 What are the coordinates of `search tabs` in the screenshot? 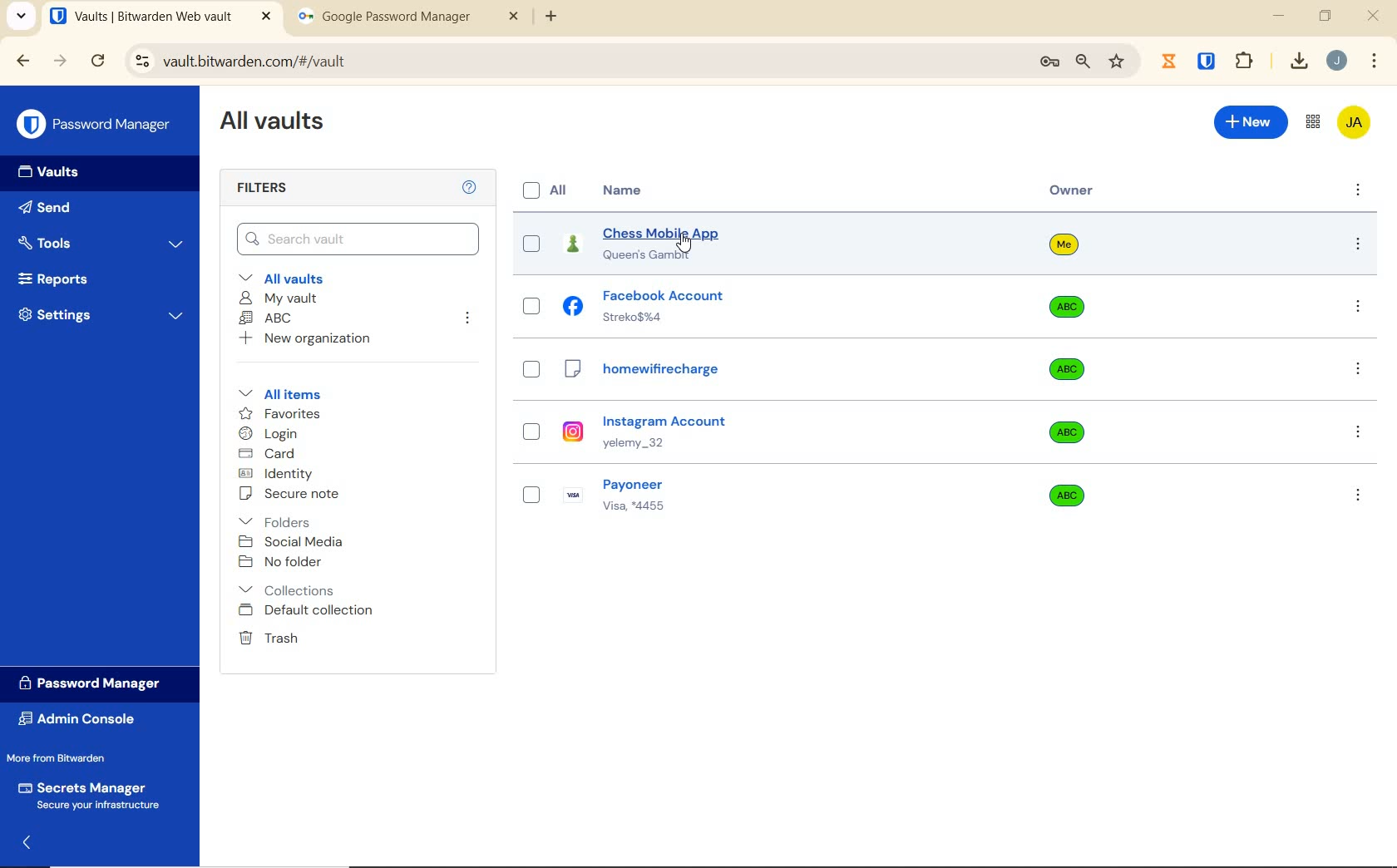 It's located at (21, 19).